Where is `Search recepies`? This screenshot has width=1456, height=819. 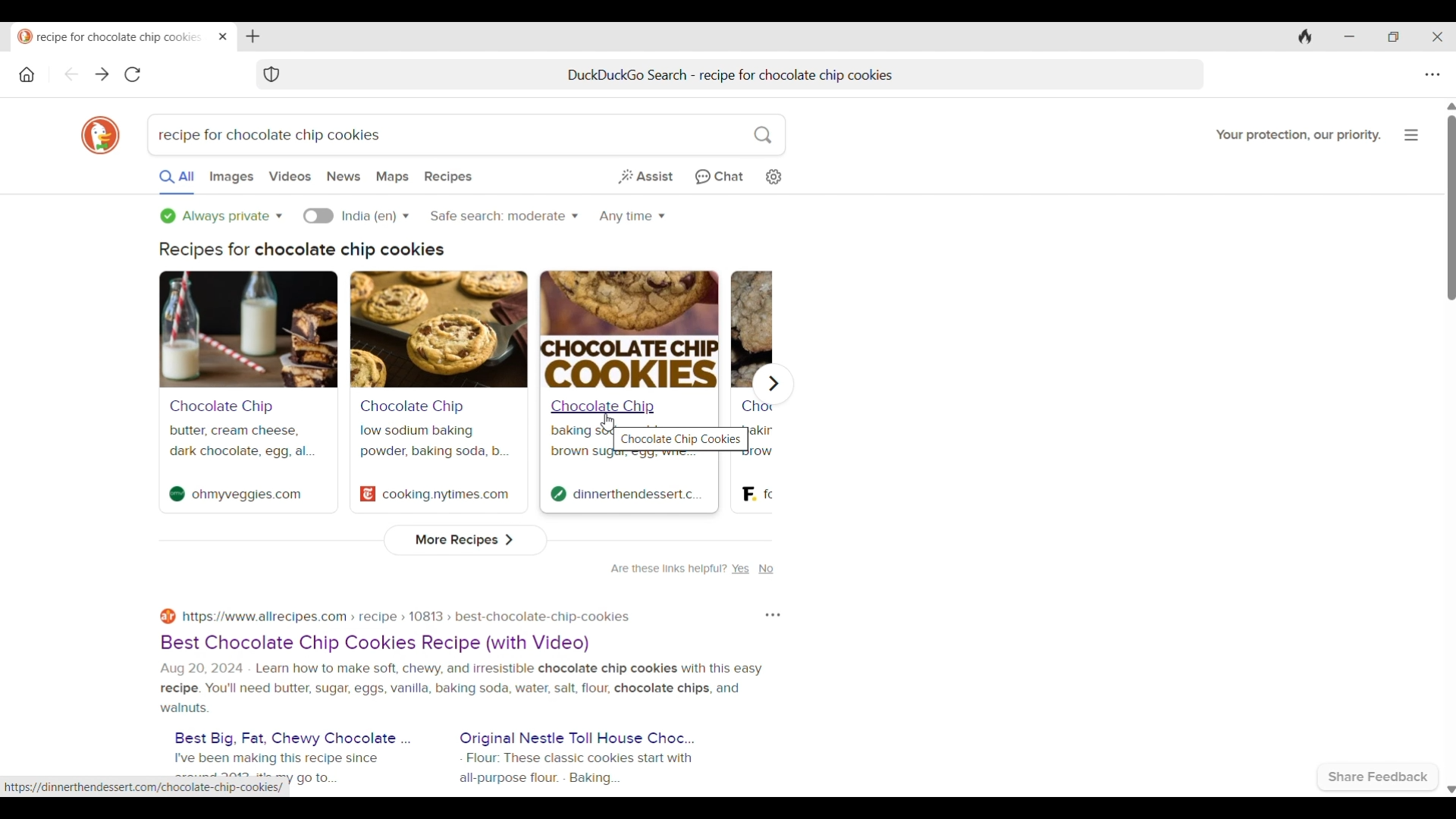 Search recepies is located at coordinates (448, 177).